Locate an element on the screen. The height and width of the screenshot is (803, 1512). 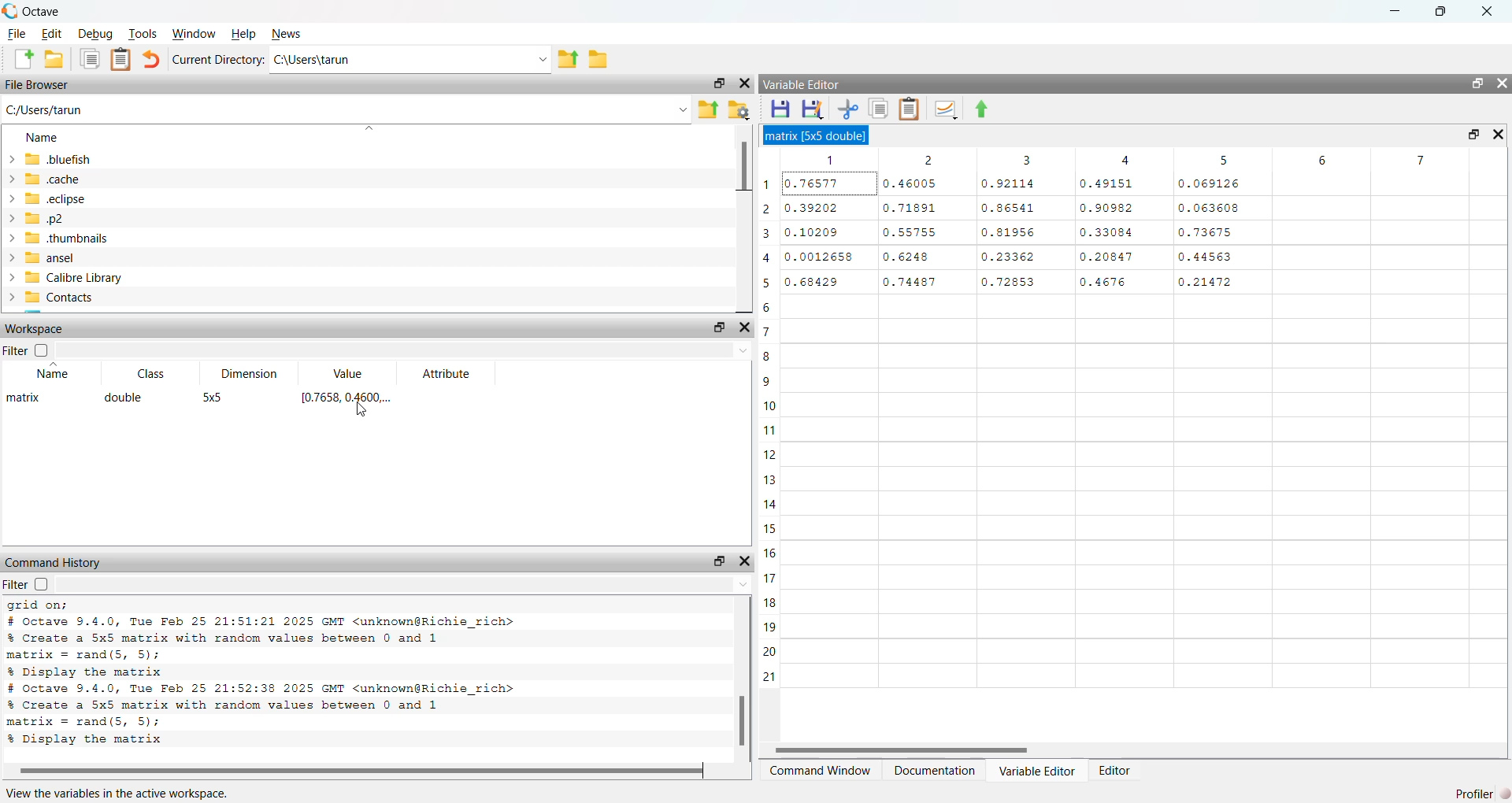
notes is located at coordinates (124, 59).